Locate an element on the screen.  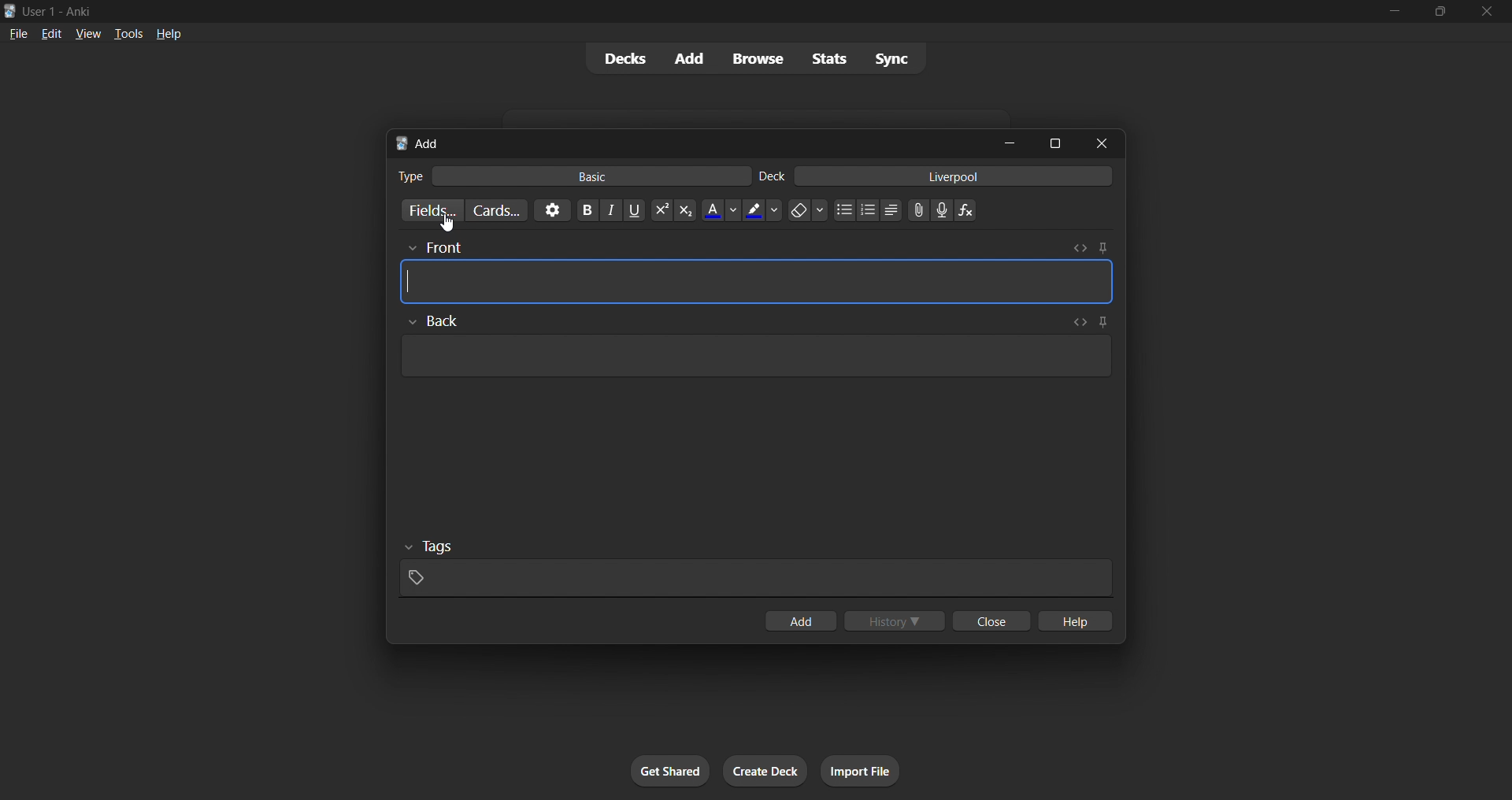
decks is located at coordinates (623, 59).